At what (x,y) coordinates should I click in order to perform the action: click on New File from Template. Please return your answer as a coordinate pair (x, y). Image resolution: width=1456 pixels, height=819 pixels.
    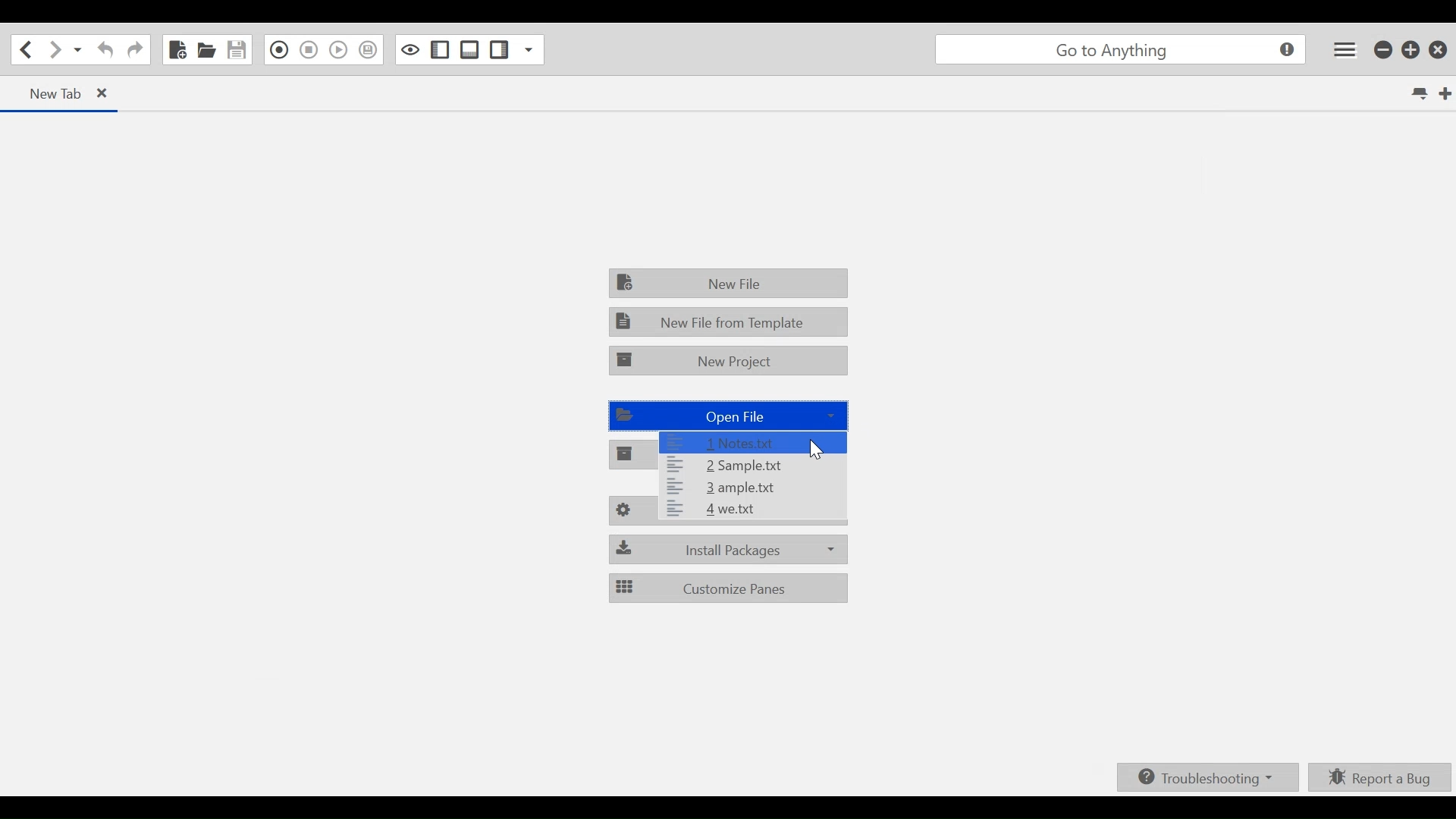
    Looking at the image, I should click on (729, 321).